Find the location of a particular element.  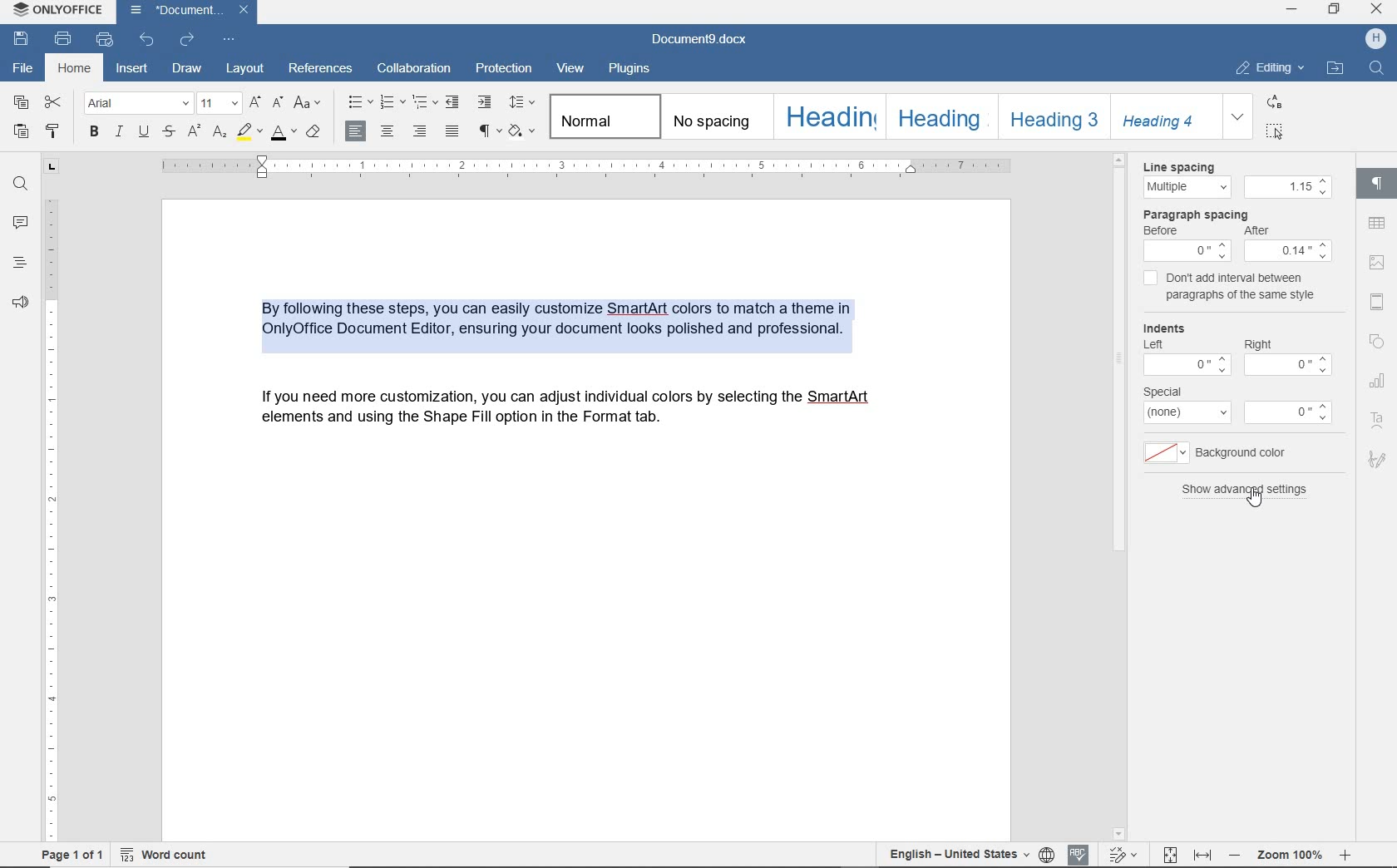

shape is located at coordinates (1380, 340).